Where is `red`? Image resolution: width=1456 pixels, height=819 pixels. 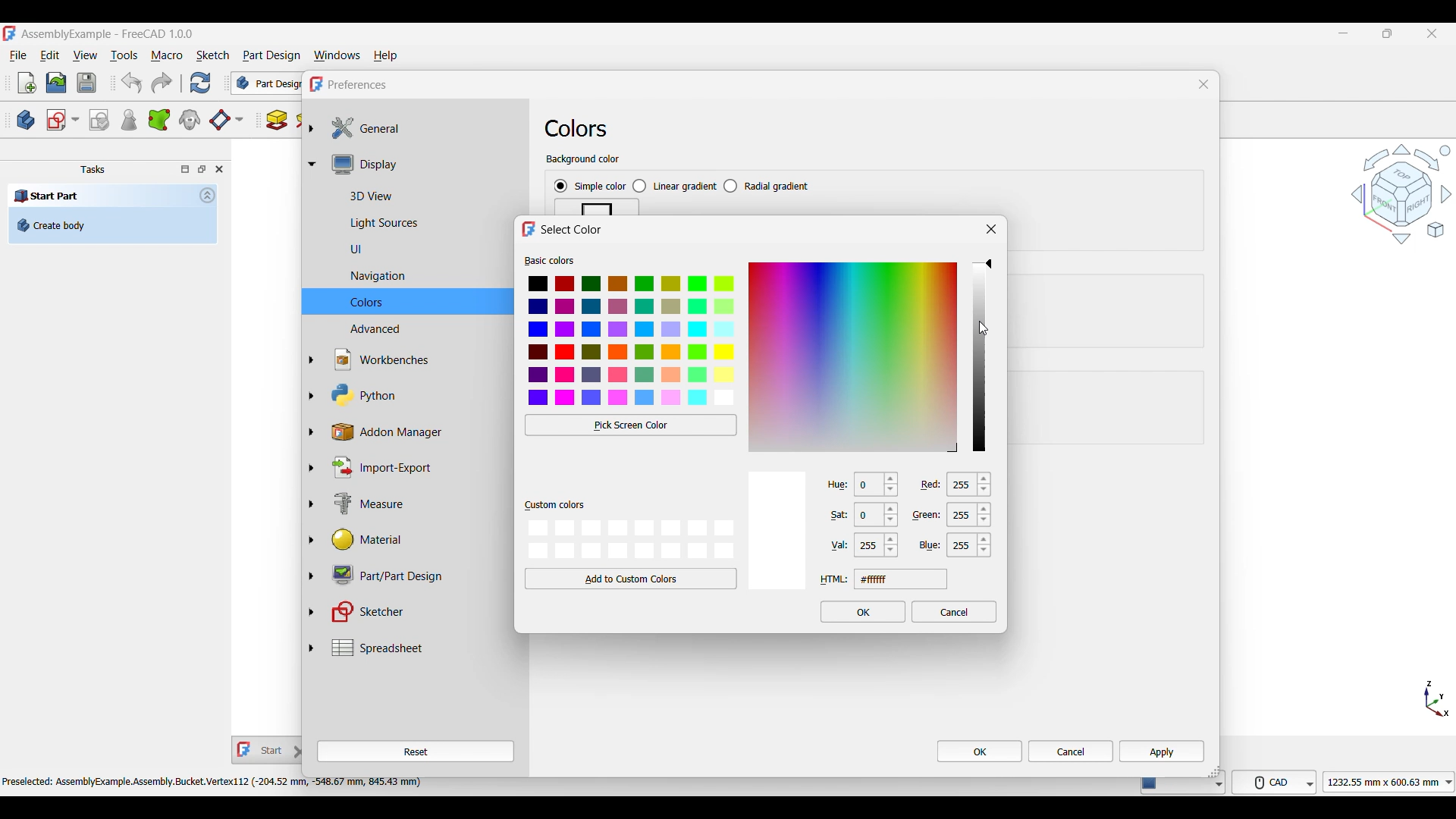 red is located at coordinates (933, 483).